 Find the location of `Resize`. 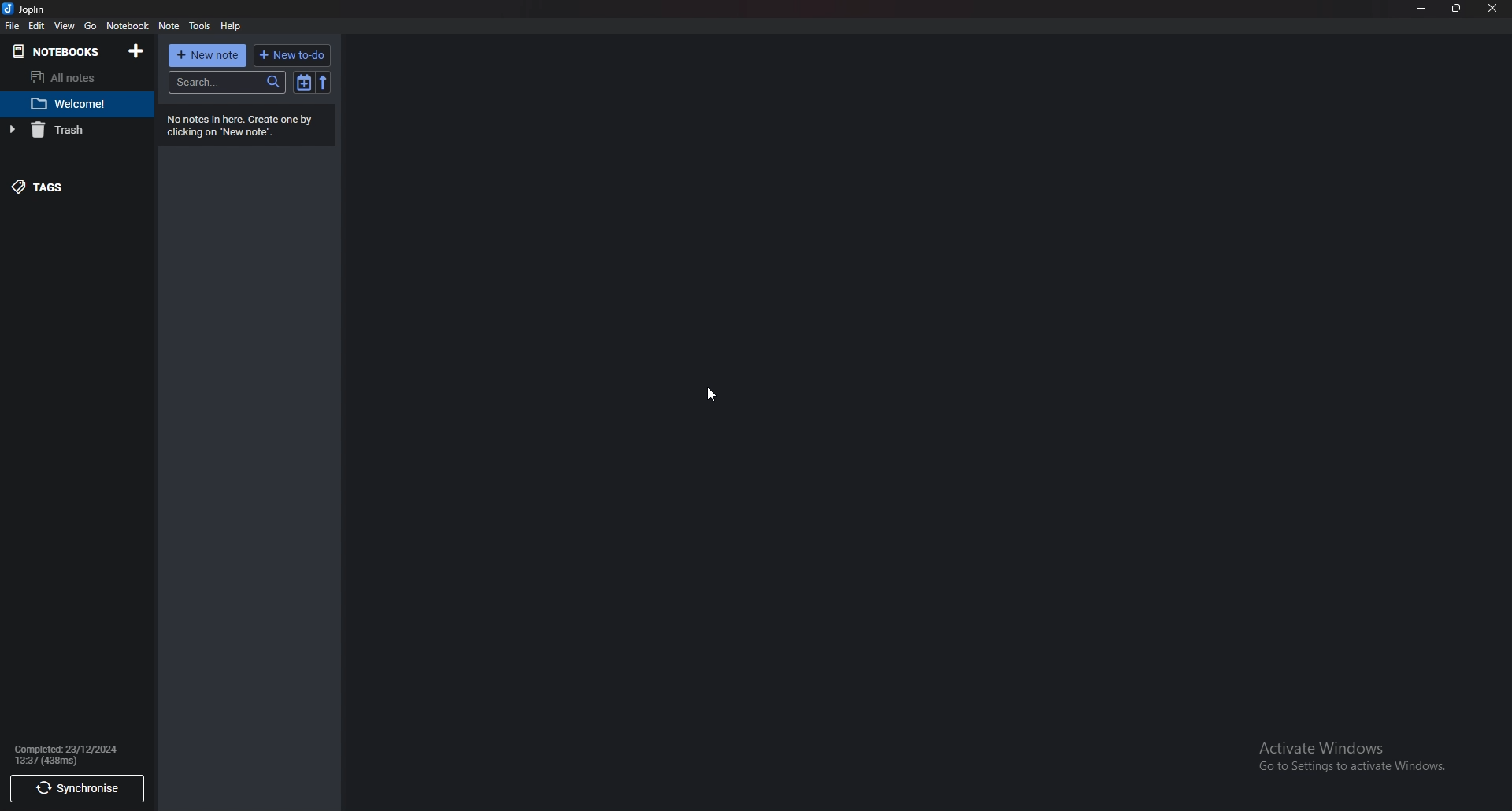

Resize is located at coordinates (1457, 9).